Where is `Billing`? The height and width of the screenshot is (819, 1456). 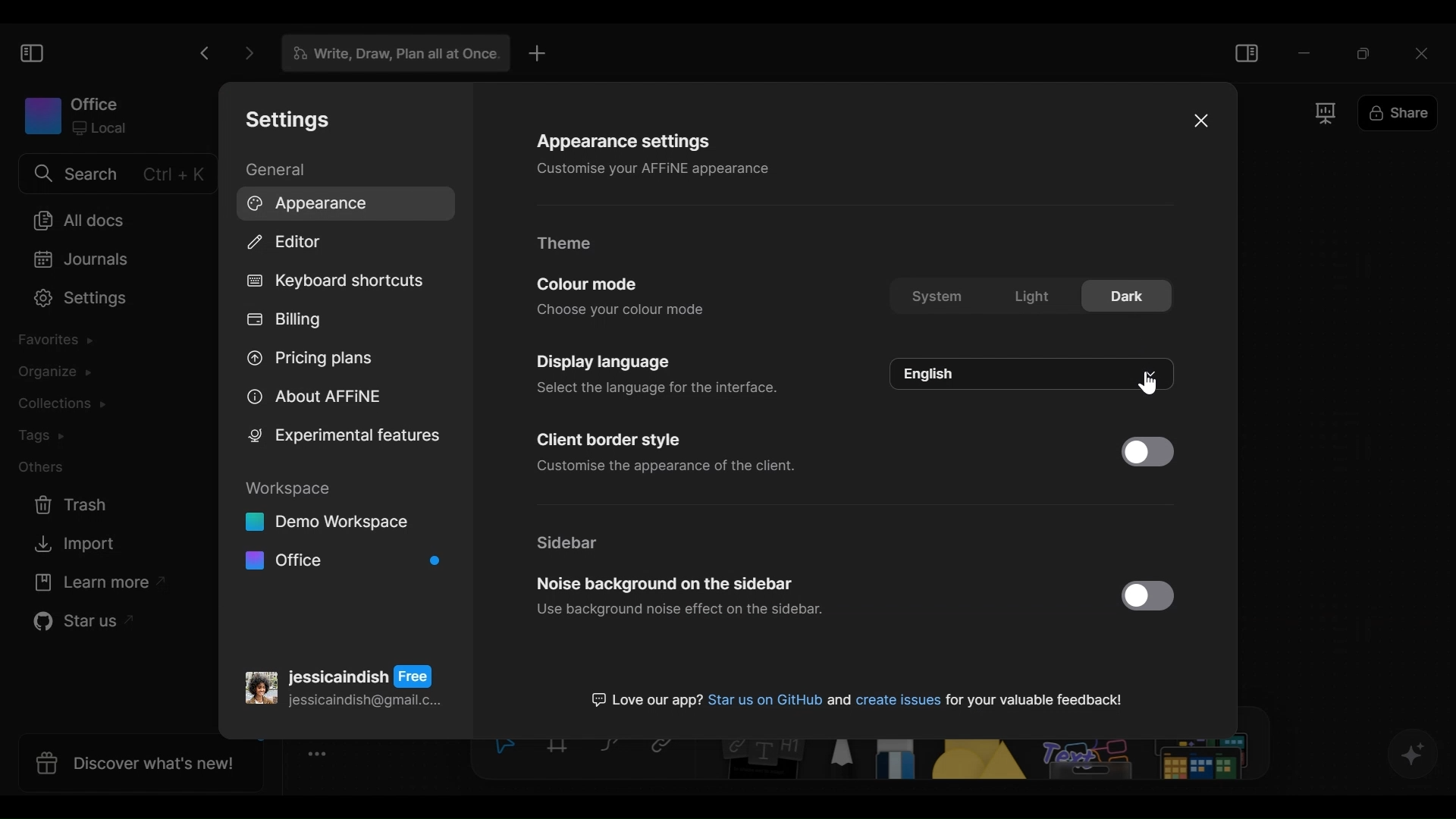 Billing is located at coordinates (287, 322).